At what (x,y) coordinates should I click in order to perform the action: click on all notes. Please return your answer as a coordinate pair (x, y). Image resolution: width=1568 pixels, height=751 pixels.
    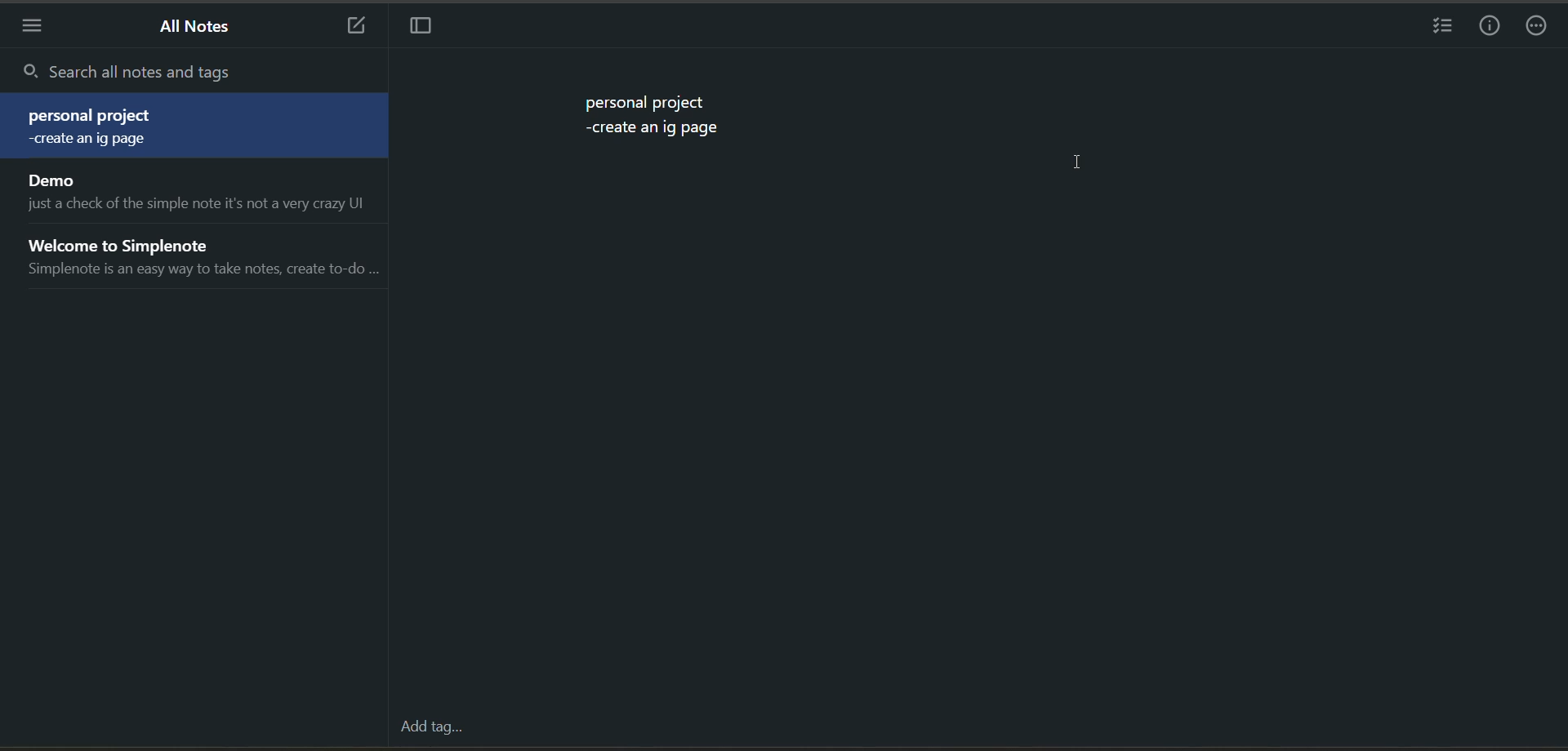
    Looking at the image, I should click on (201, 31).